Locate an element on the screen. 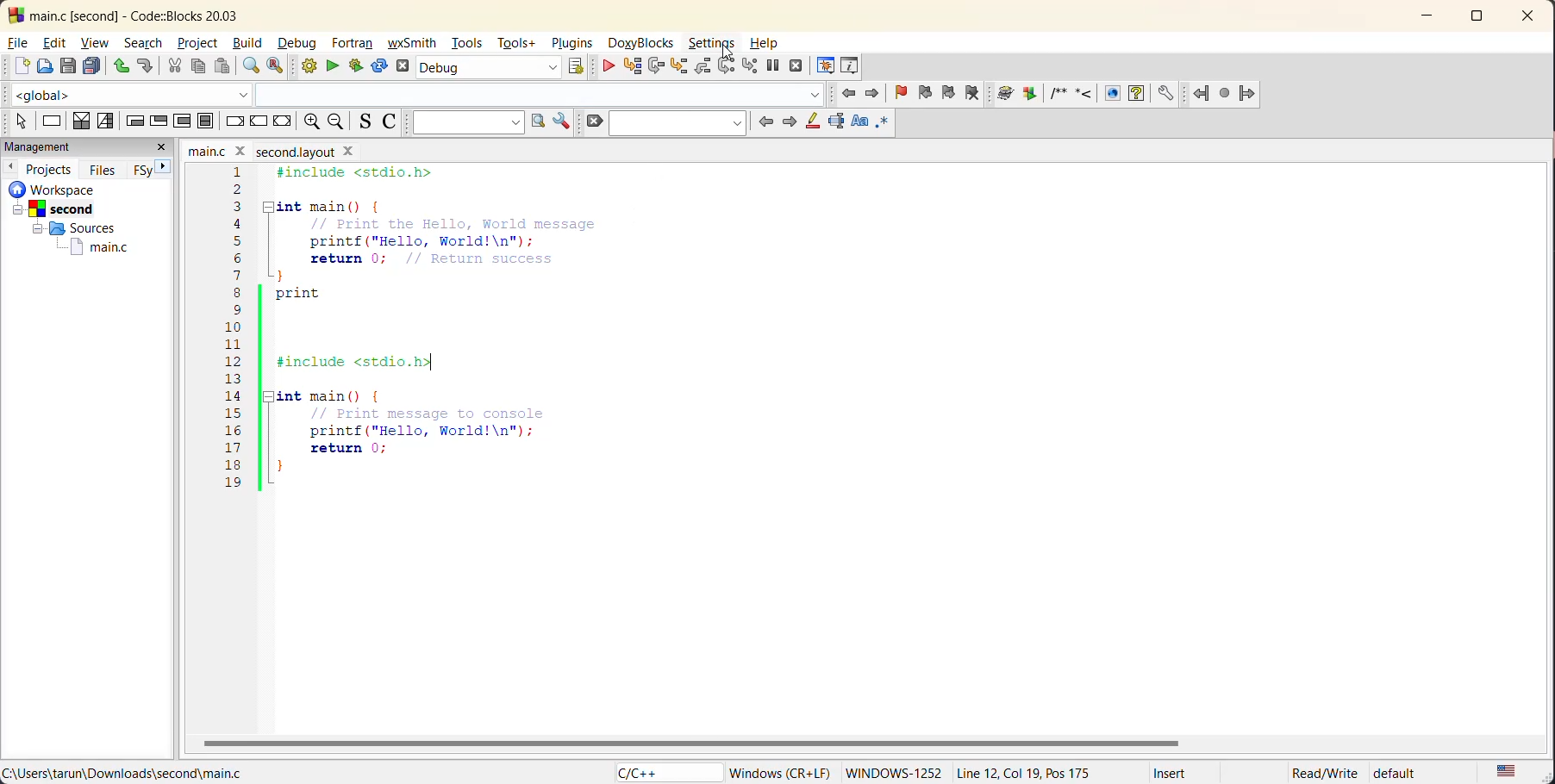  zoom out is located at coordinates (340, 122).